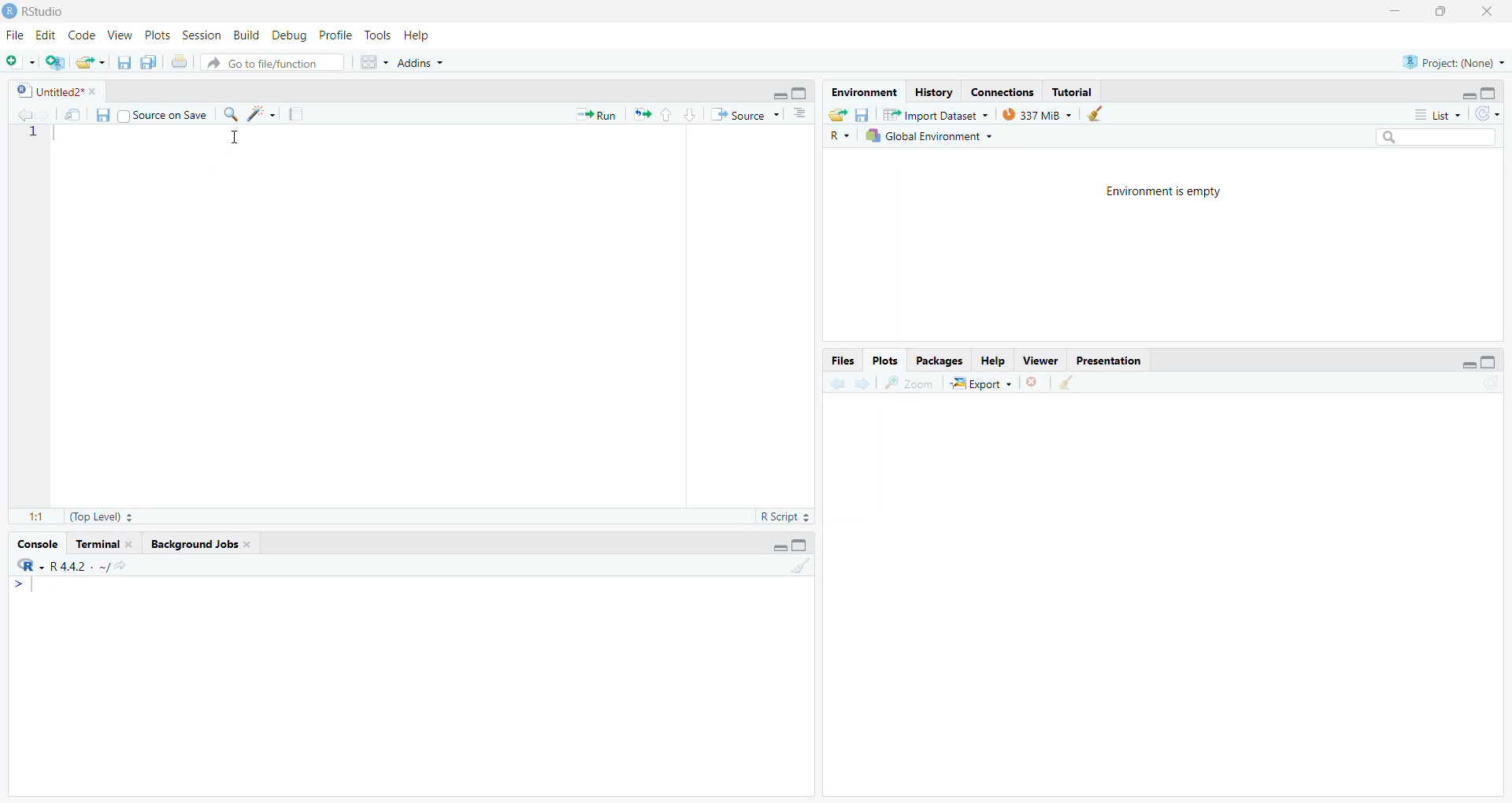 This screenshot has height=803, width=1512. I want to click on 1:1, so click(35, 516).